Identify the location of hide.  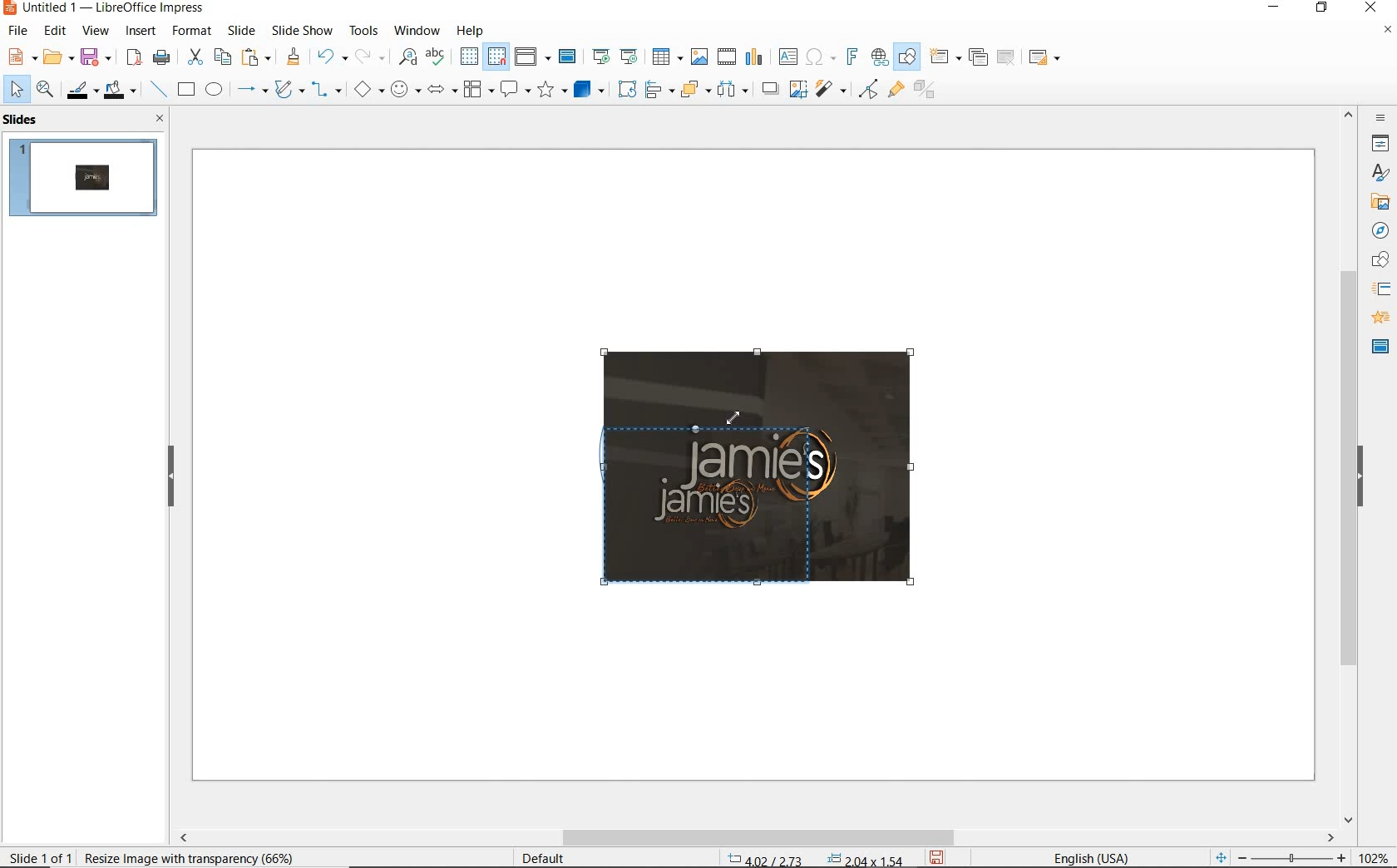
(171, 477).